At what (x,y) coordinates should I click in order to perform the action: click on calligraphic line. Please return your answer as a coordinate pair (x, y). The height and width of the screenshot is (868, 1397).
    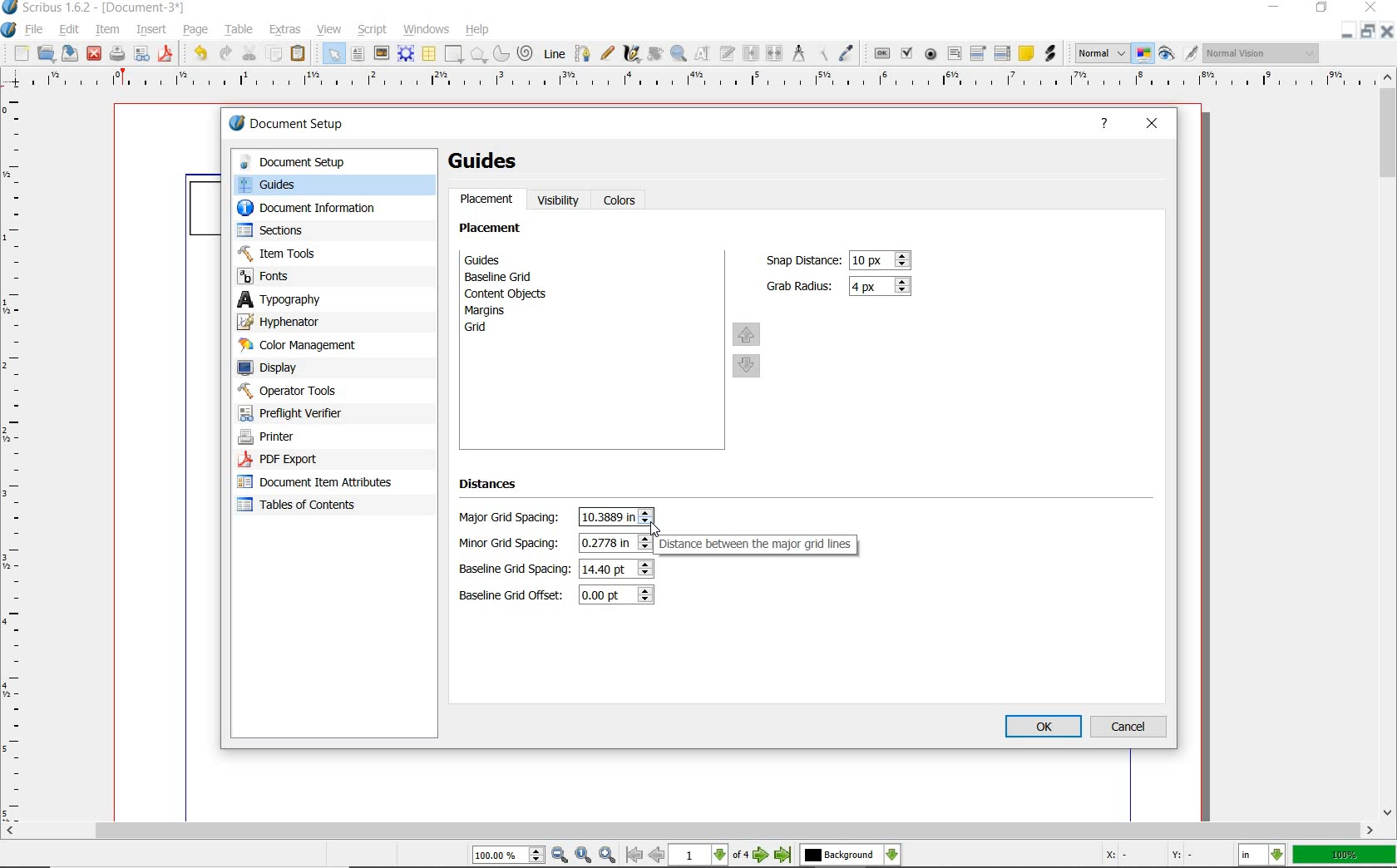
    Looking at the image, I should click on (634, 54).